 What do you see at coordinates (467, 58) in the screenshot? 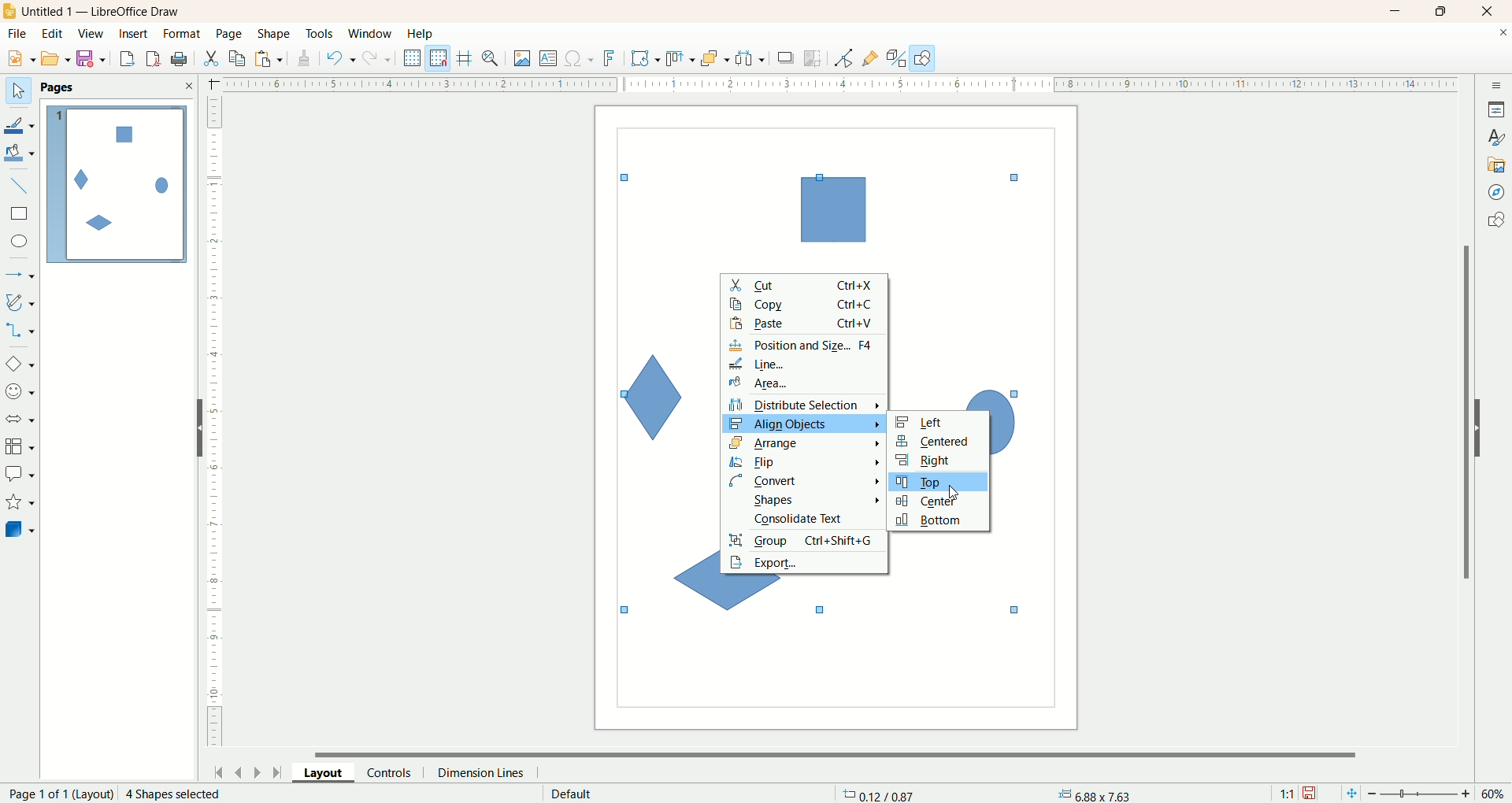
I see `helplines` at bounding box center [467, 58].